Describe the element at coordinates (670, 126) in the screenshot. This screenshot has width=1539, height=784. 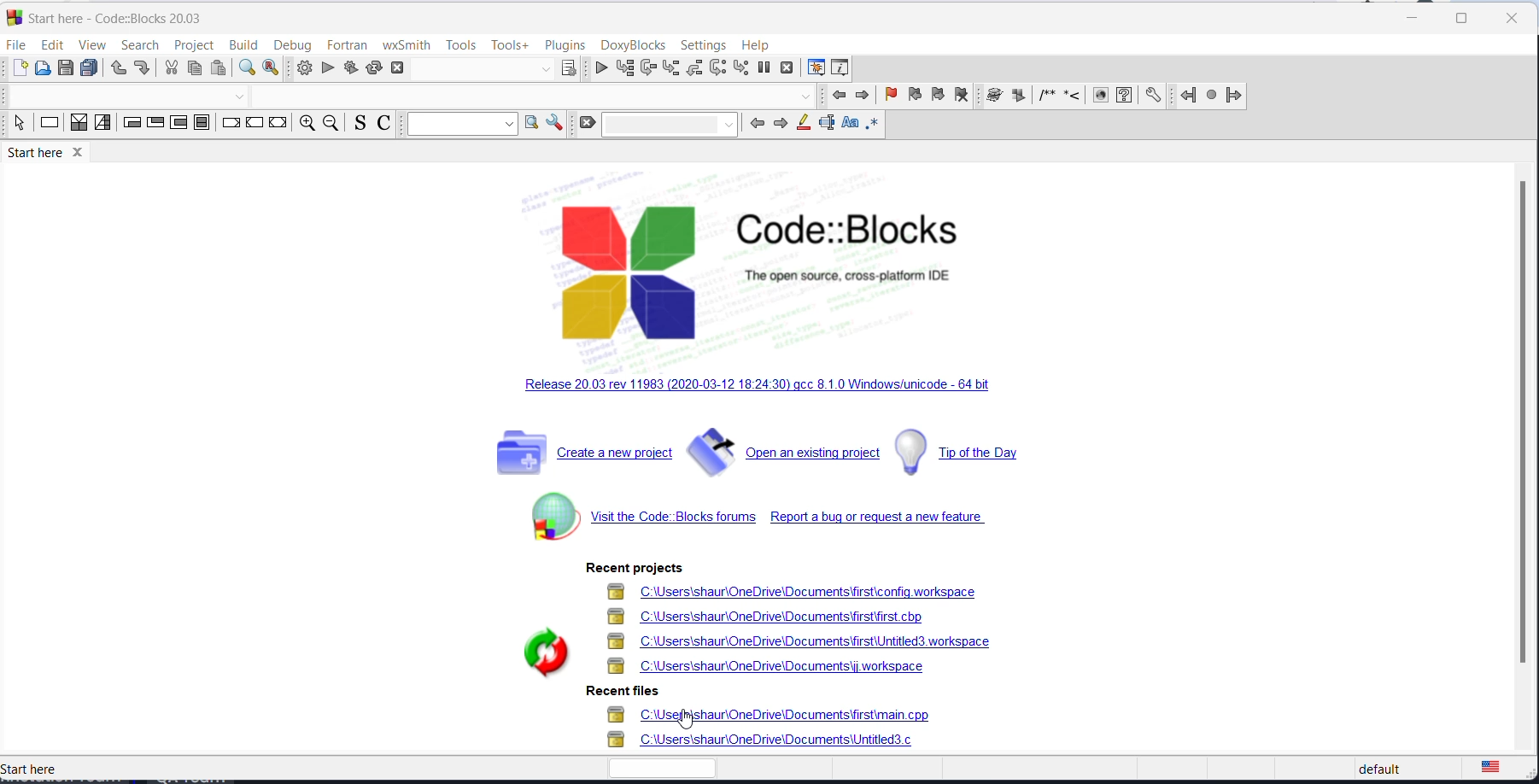
I see `dropdown` at that location.